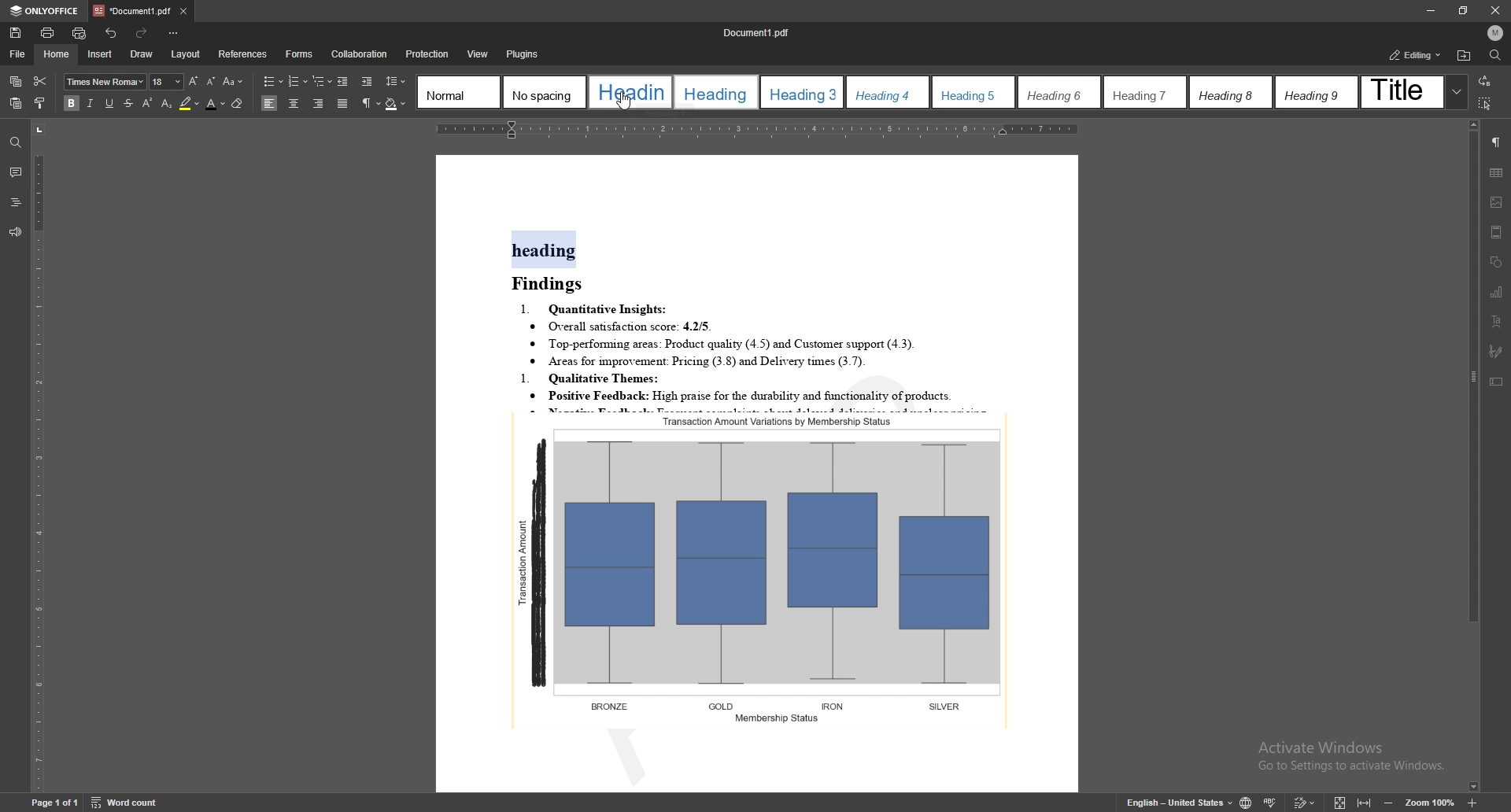 The height and width of the screenshot is (812, 1511). Describe the element at coordinates (1497, 172) in the screenshot. I see `table` at that location.